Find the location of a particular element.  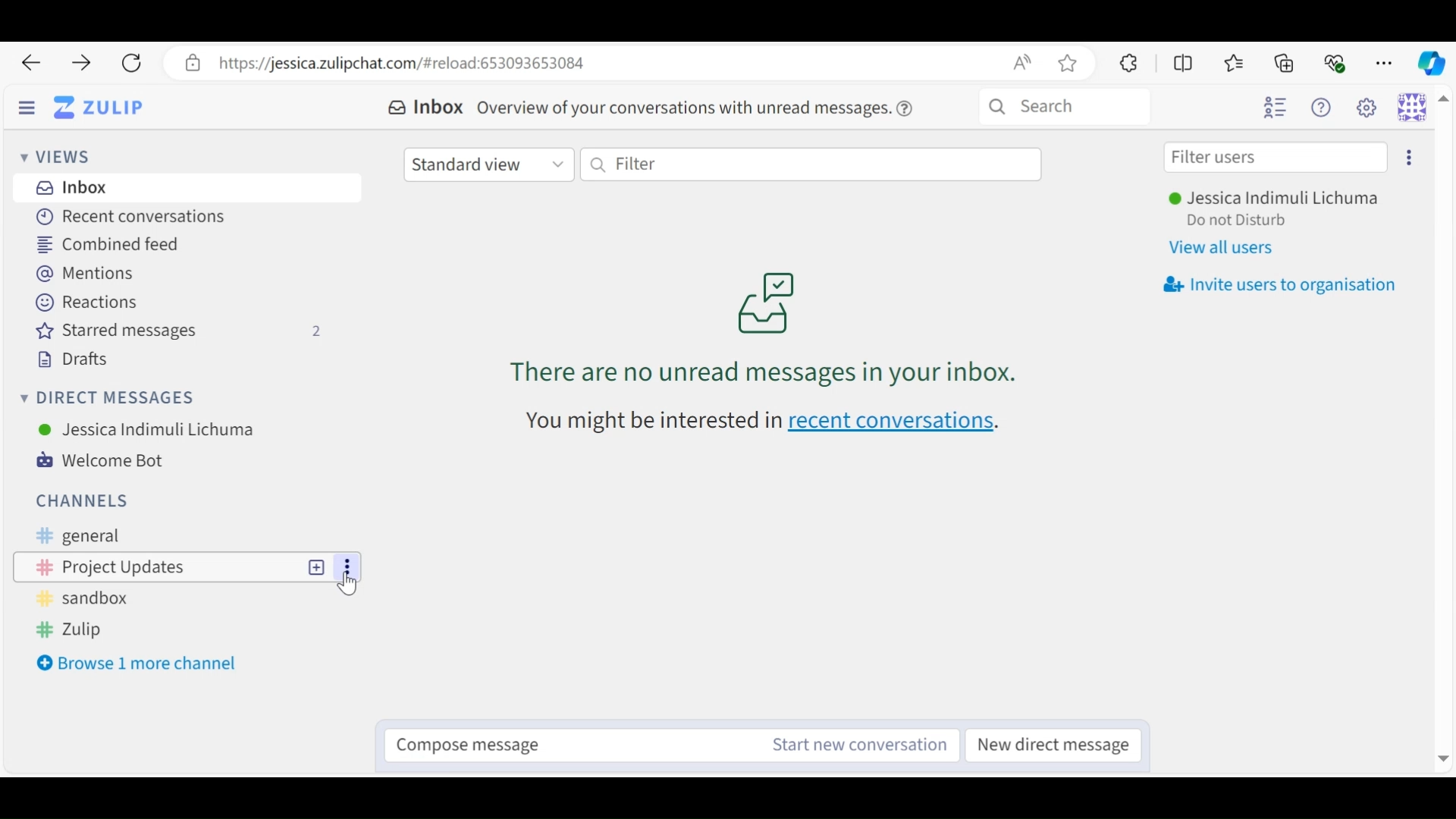

Channels is located at coordinates (80, 499).